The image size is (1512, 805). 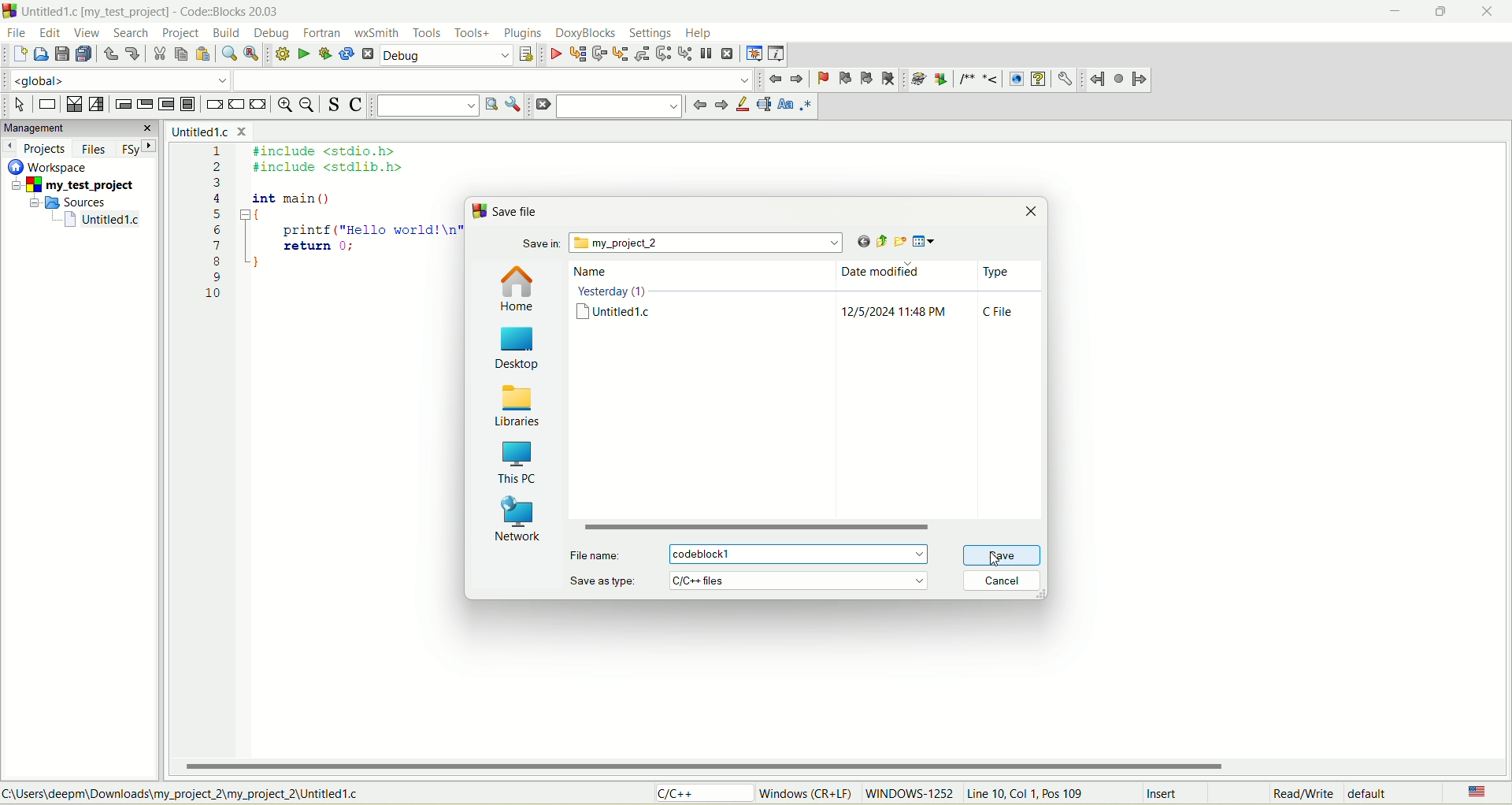 I want to click on doxywizard, so click(x=916, y=80).